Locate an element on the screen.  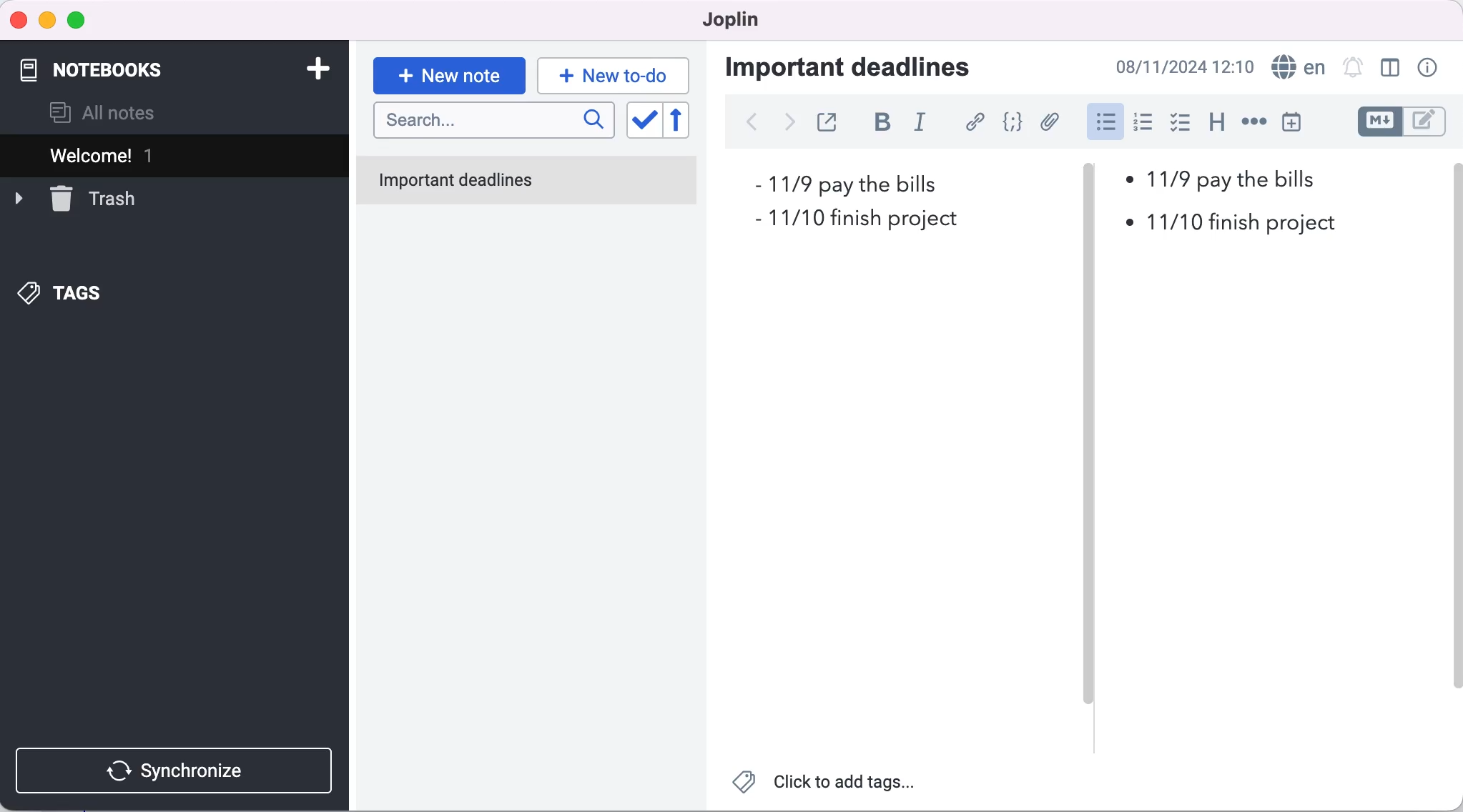
tags is located at coordinates (75, 291).